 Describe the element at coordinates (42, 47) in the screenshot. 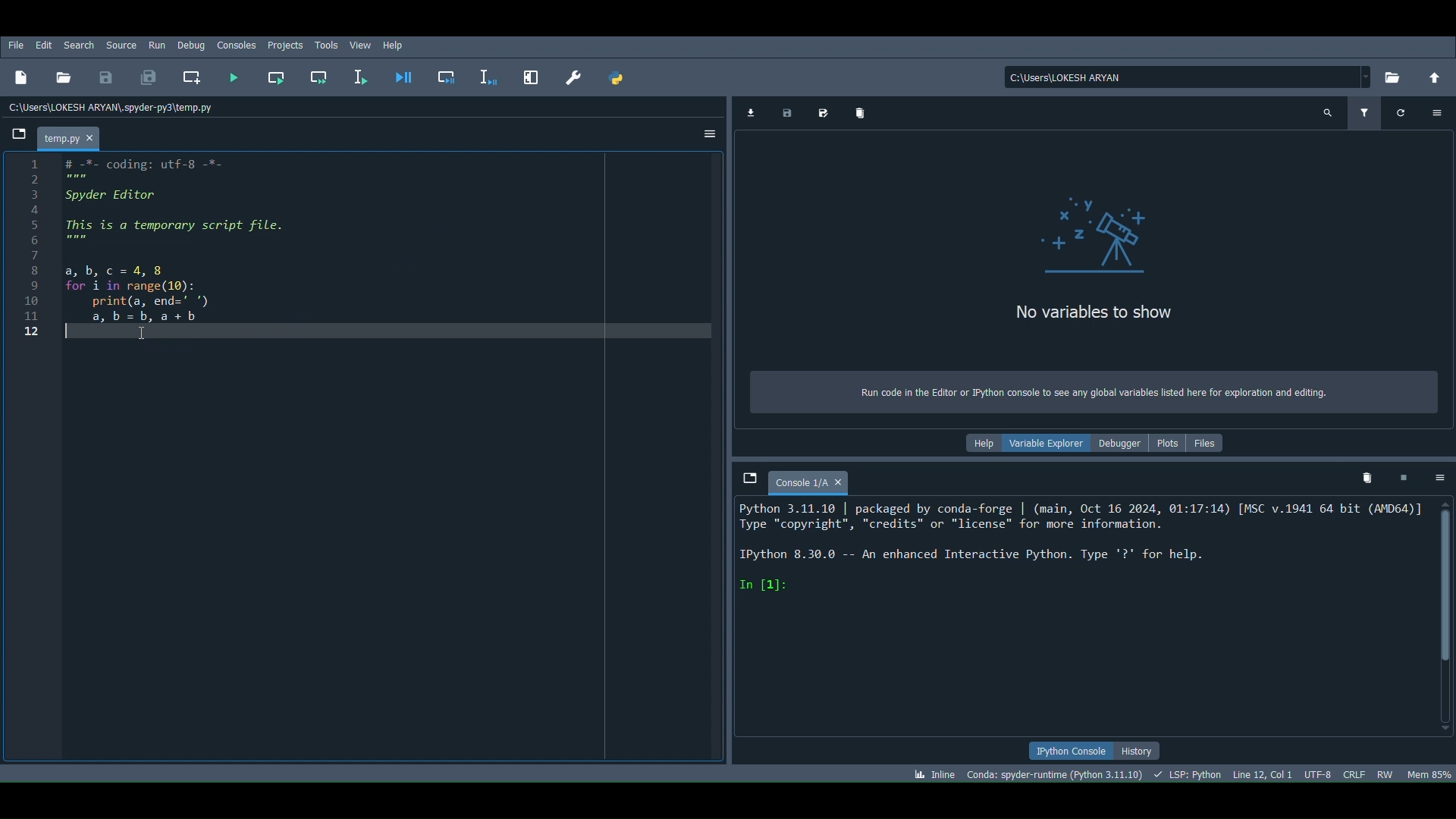

I see `Edit` at that location.